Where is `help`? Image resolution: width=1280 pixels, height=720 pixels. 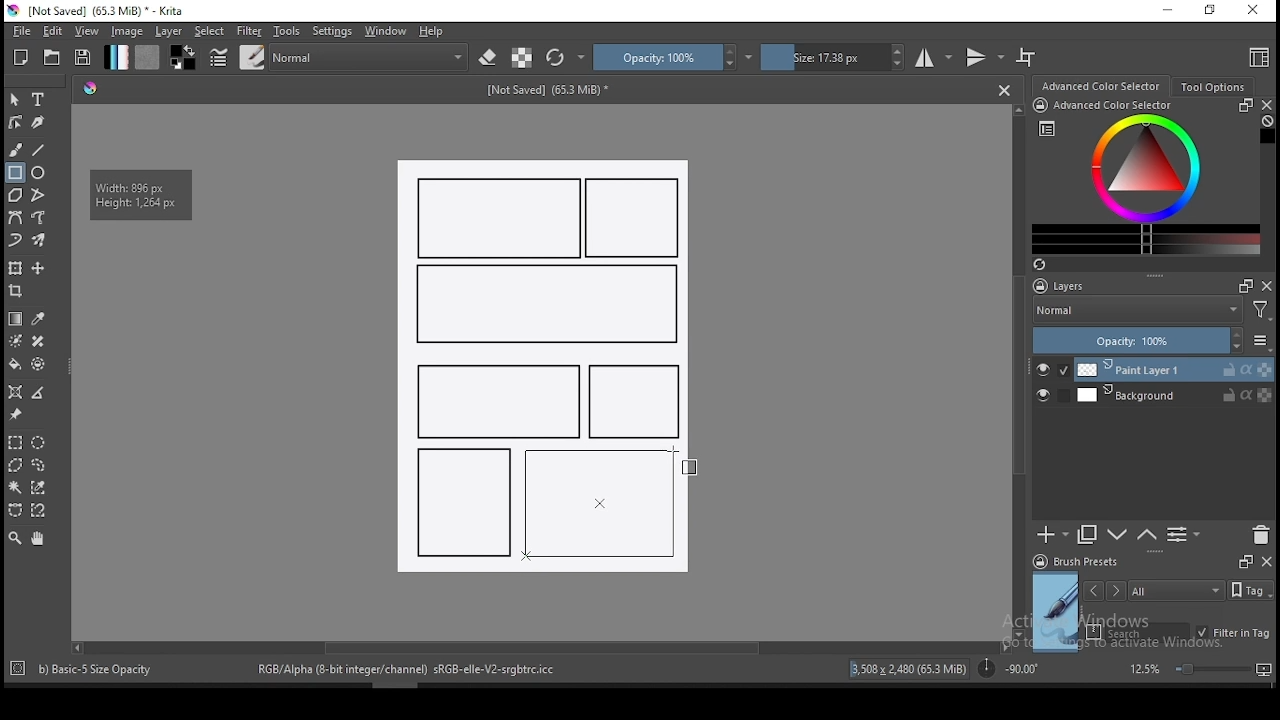
help is located at coordinates (435, 32).